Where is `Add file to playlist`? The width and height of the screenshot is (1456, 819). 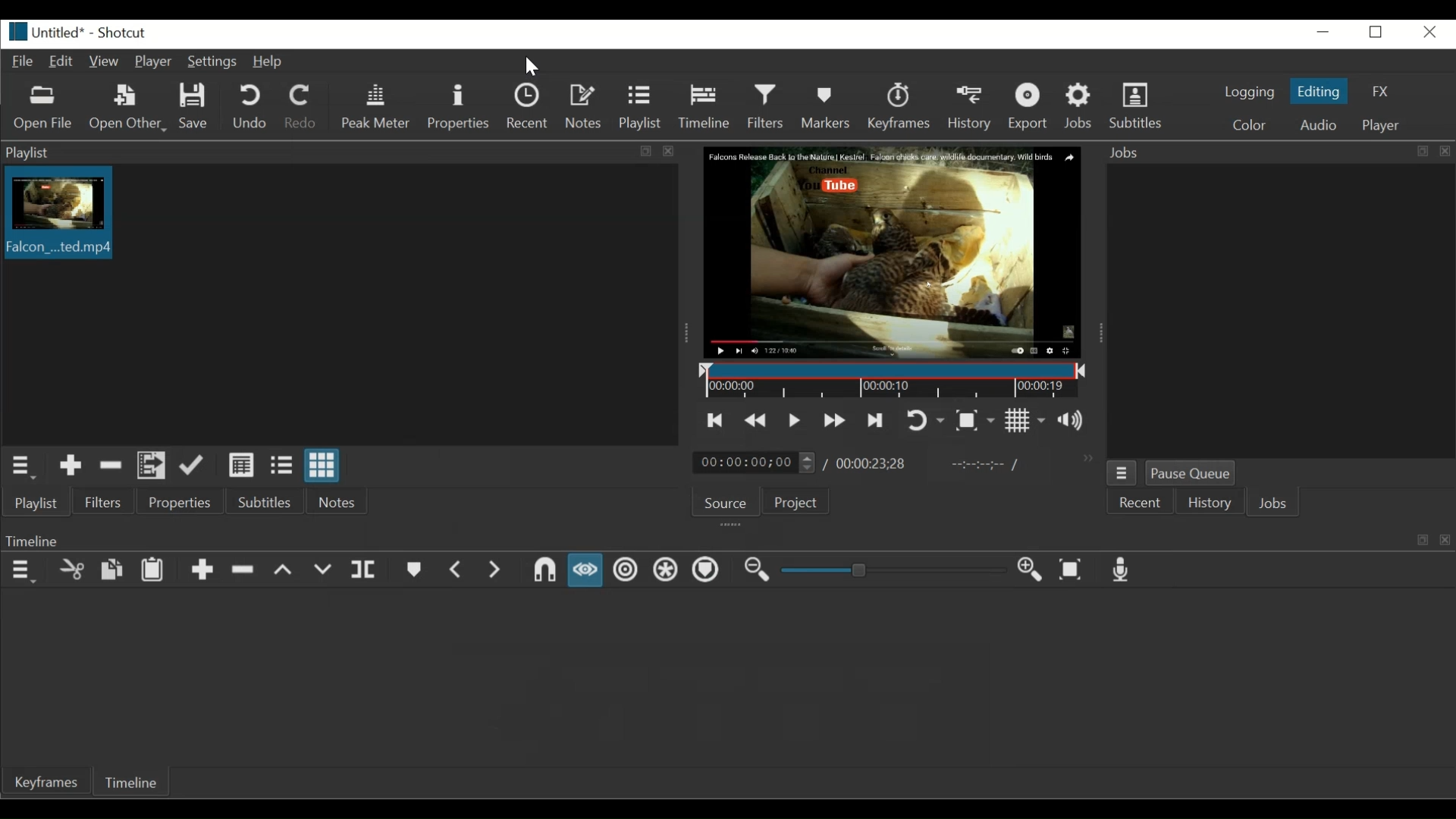 Add file to playlist is located at coordinates (149, 466).